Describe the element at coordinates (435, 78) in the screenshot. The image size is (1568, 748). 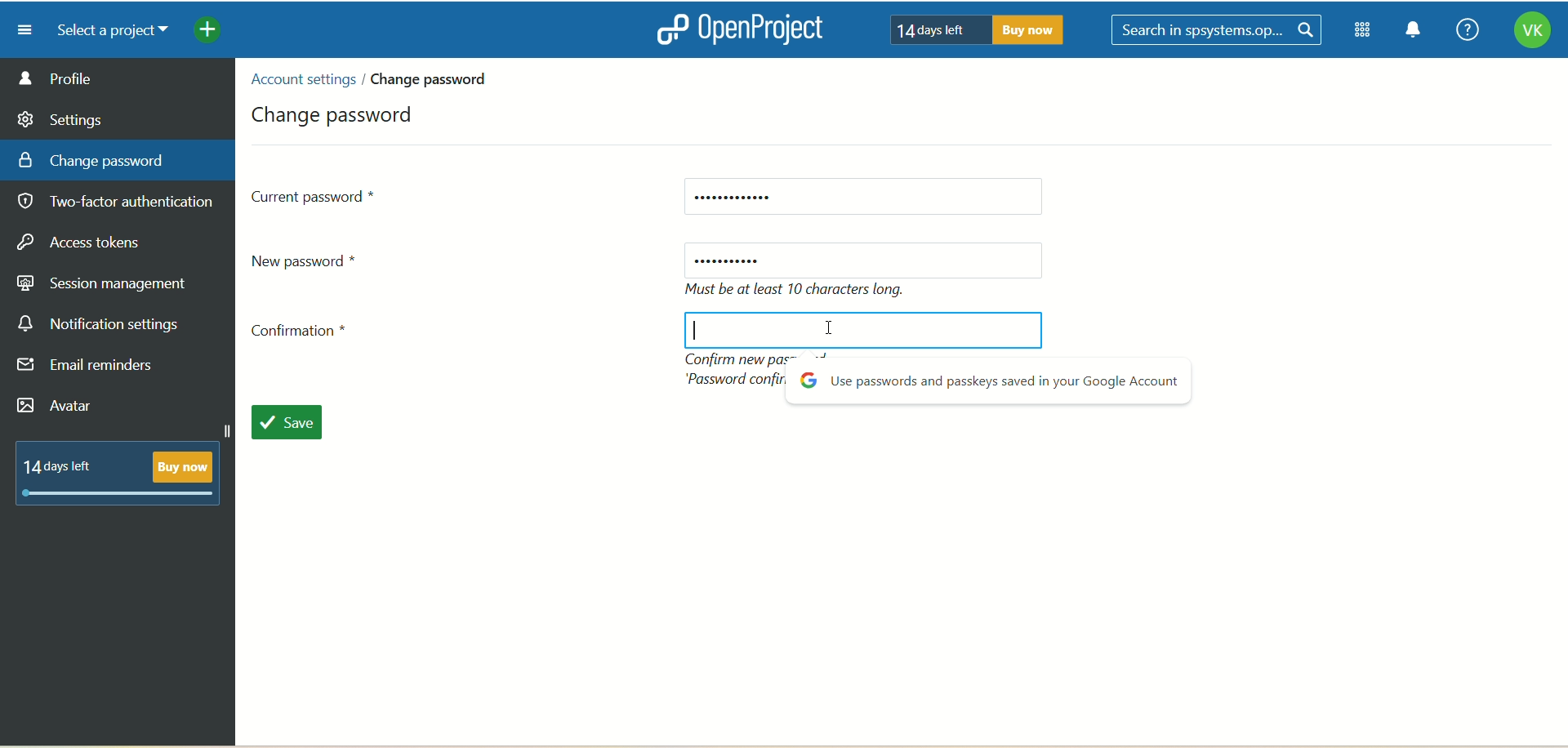
I see `change password` at that location.